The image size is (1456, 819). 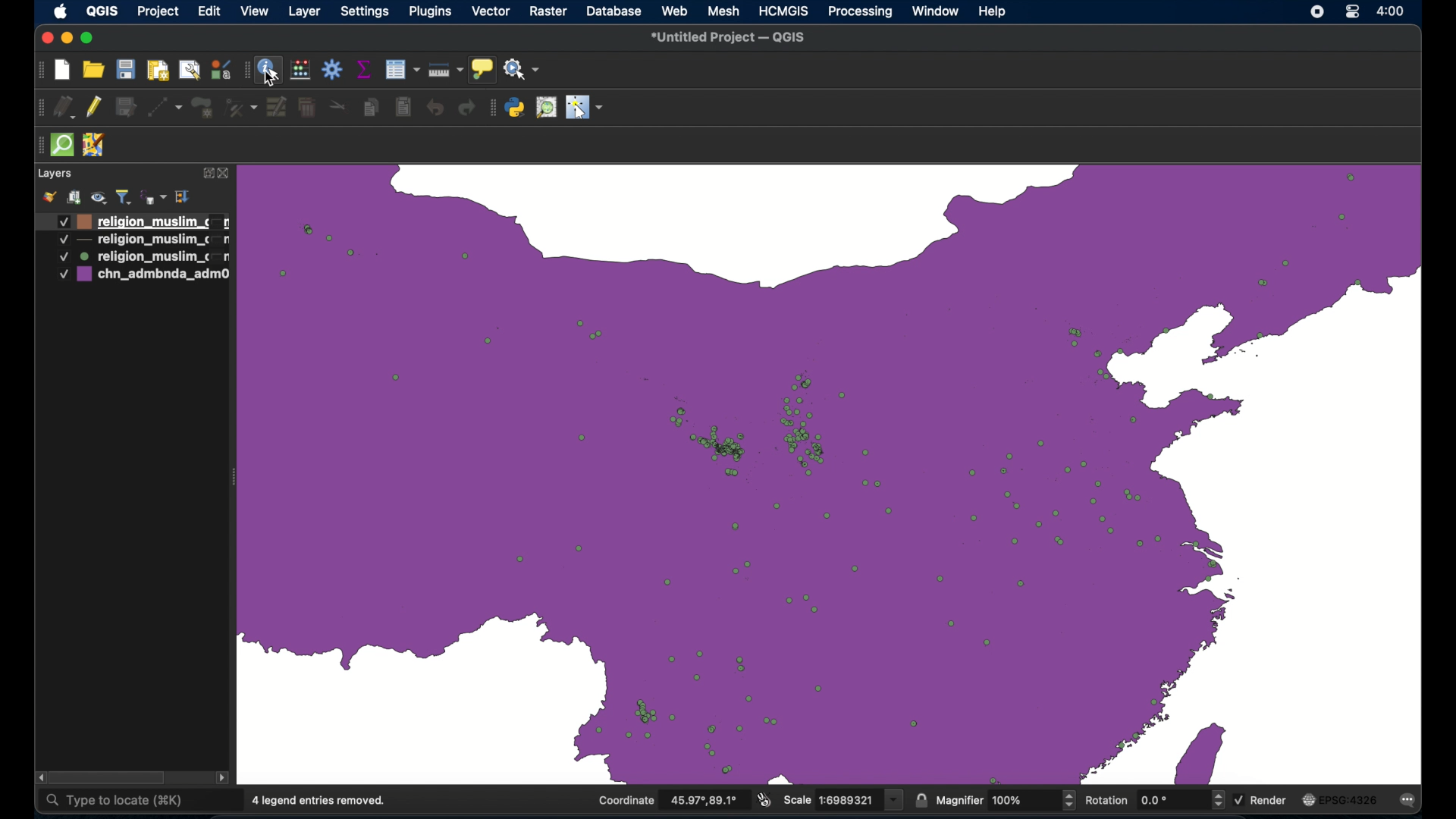 I want to click on addpolygonfeature, so click(x=202, y=108).